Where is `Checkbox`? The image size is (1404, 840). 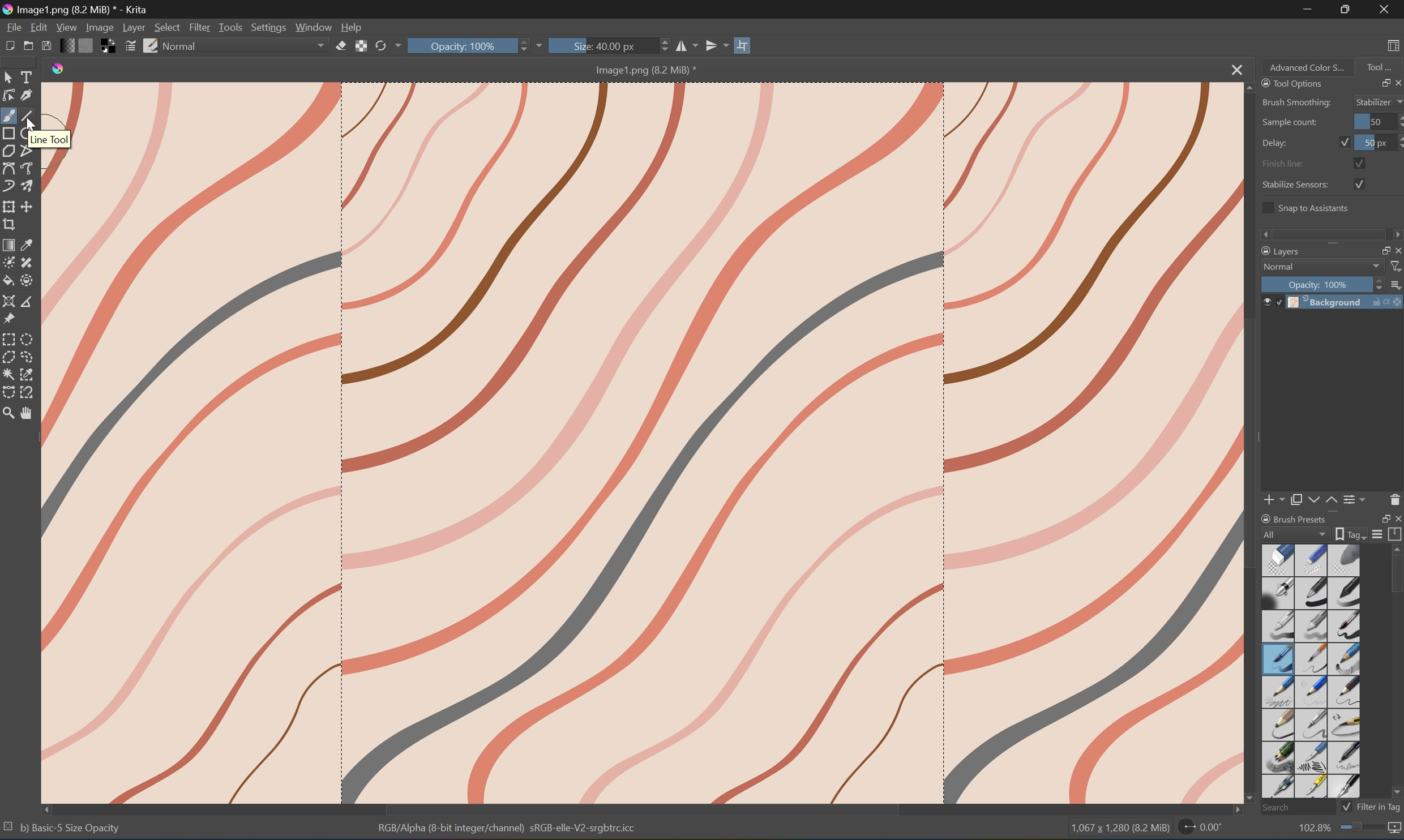
Checkbox is located at coordinates (1360, 162).